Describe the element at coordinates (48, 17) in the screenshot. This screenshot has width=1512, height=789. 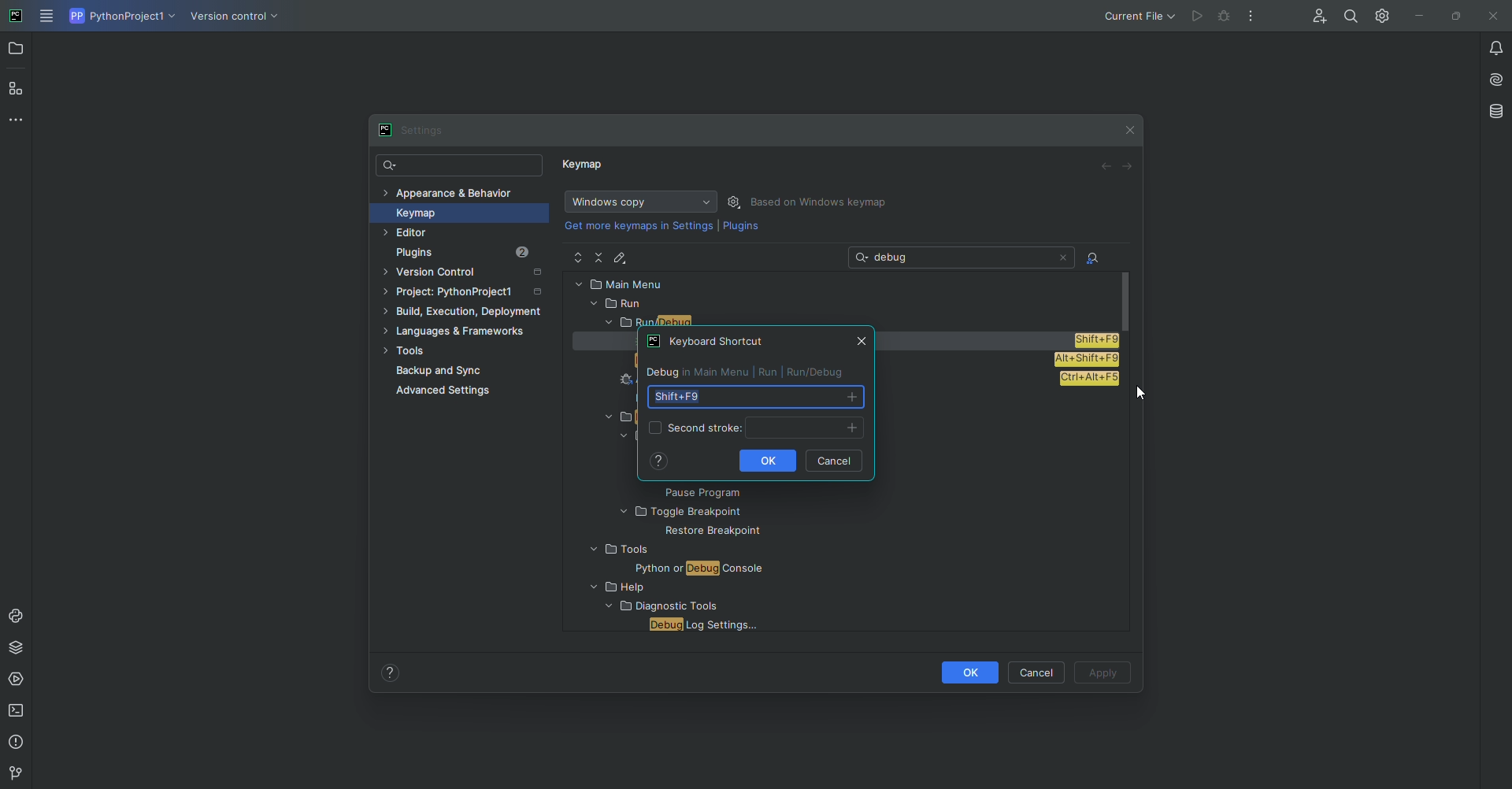
I see `Main Menu` at that location.